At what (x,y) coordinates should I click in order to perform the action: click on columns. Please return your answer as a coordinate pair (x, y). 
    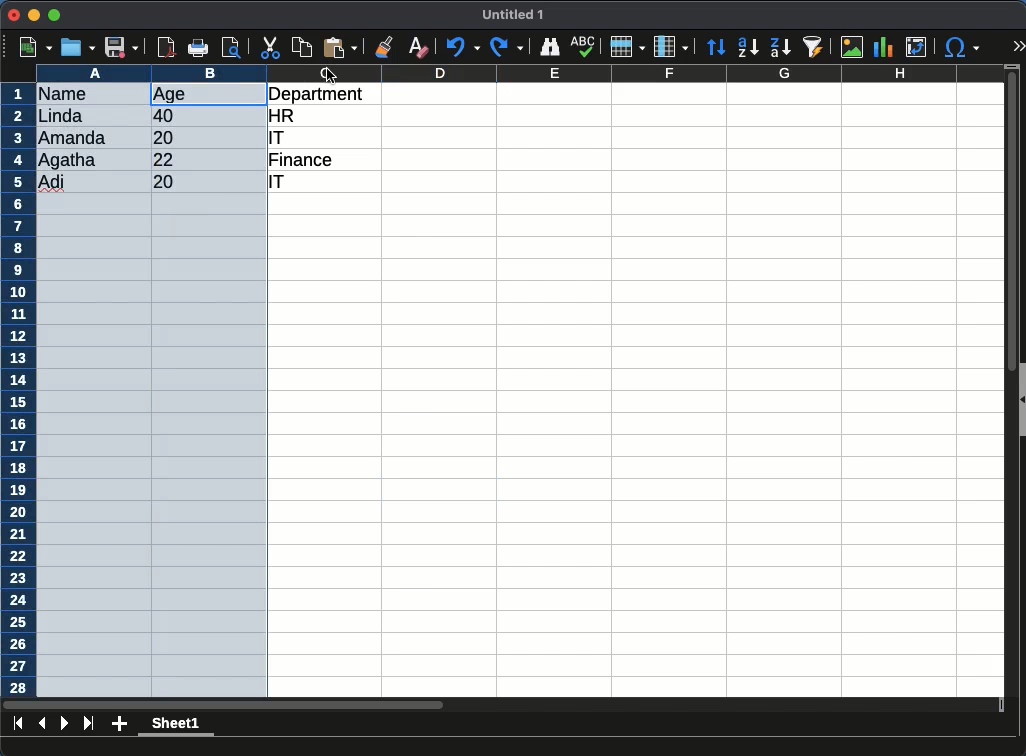
    Looking at the image, I should click on (671, 45).